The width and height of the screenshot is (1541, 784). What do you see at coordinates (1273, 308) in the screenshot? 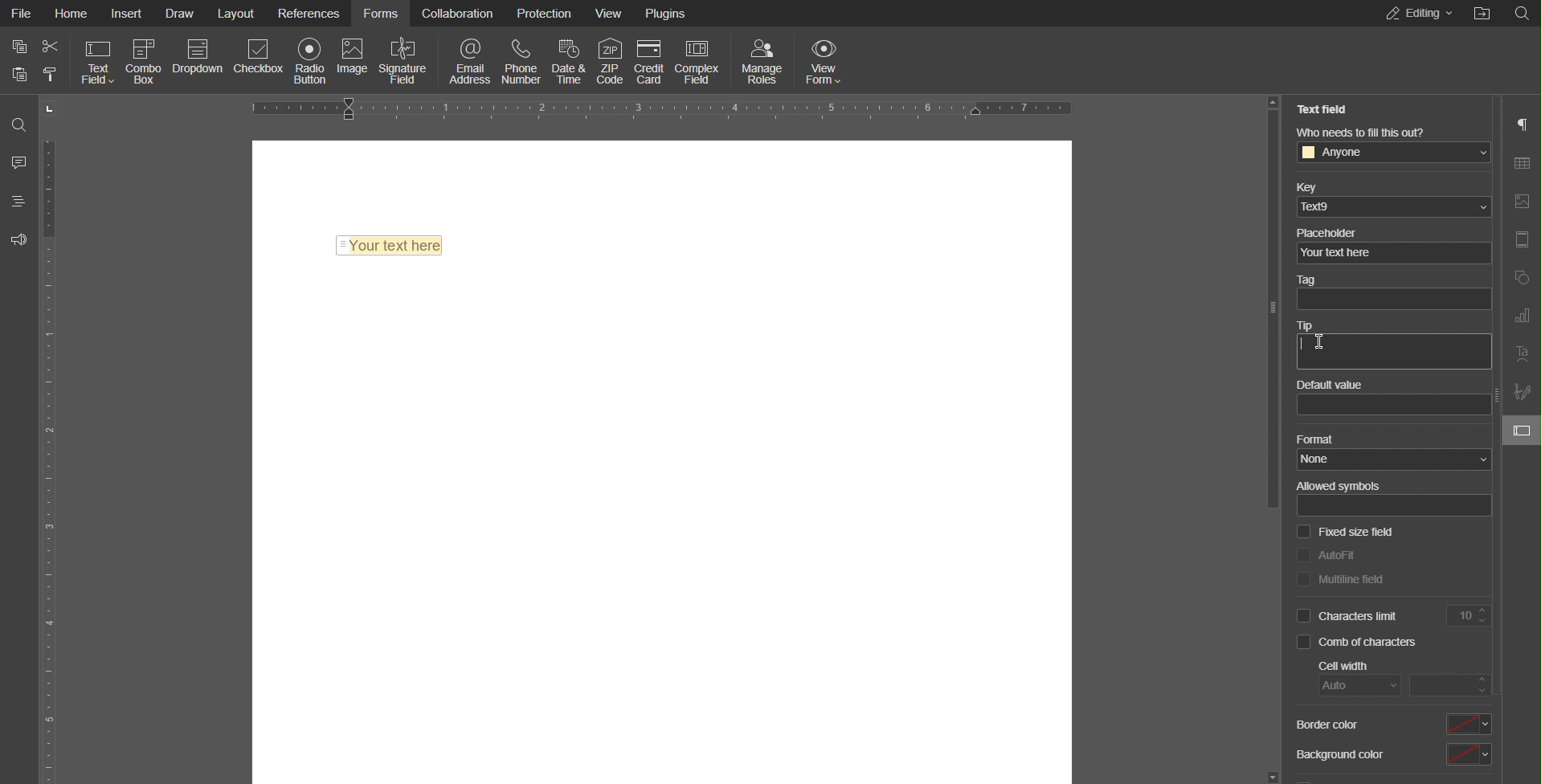
I see `slider` at bounding box center [1273, 308].